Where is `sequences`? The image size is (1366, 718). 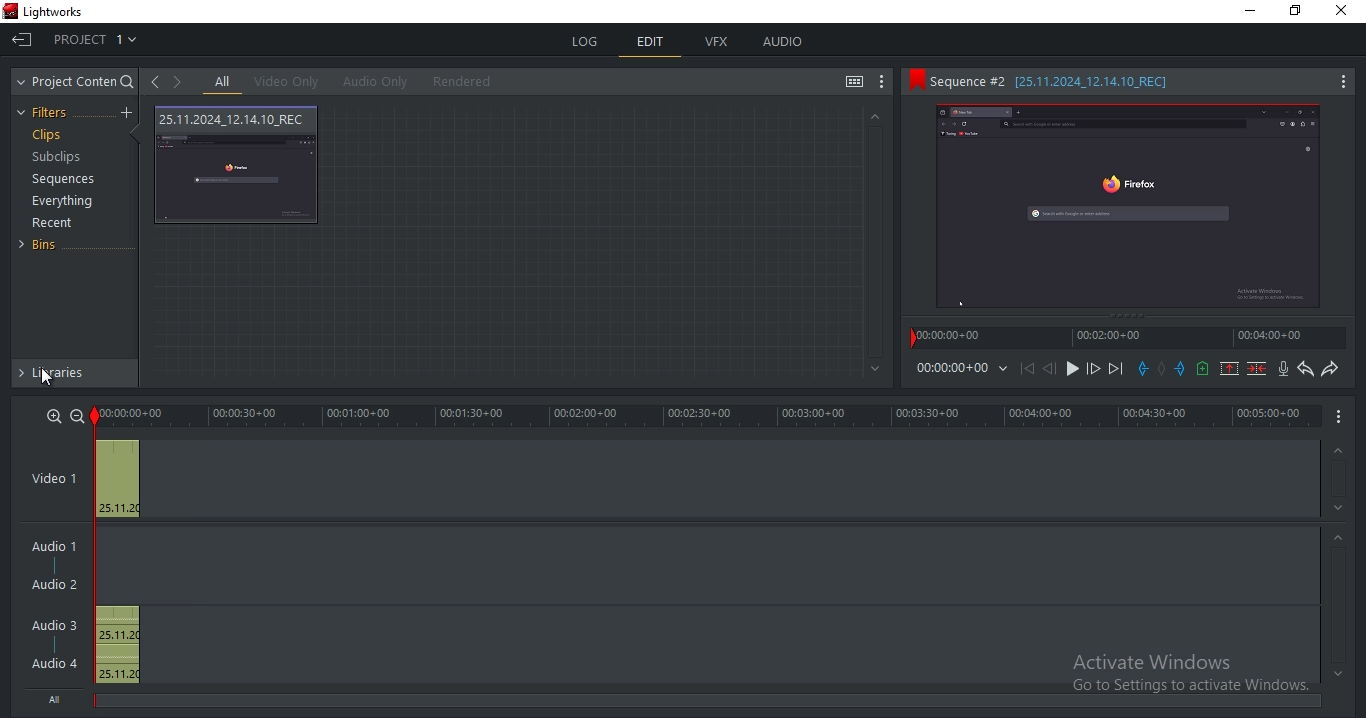
sequences is located at coordinates (64, 179).